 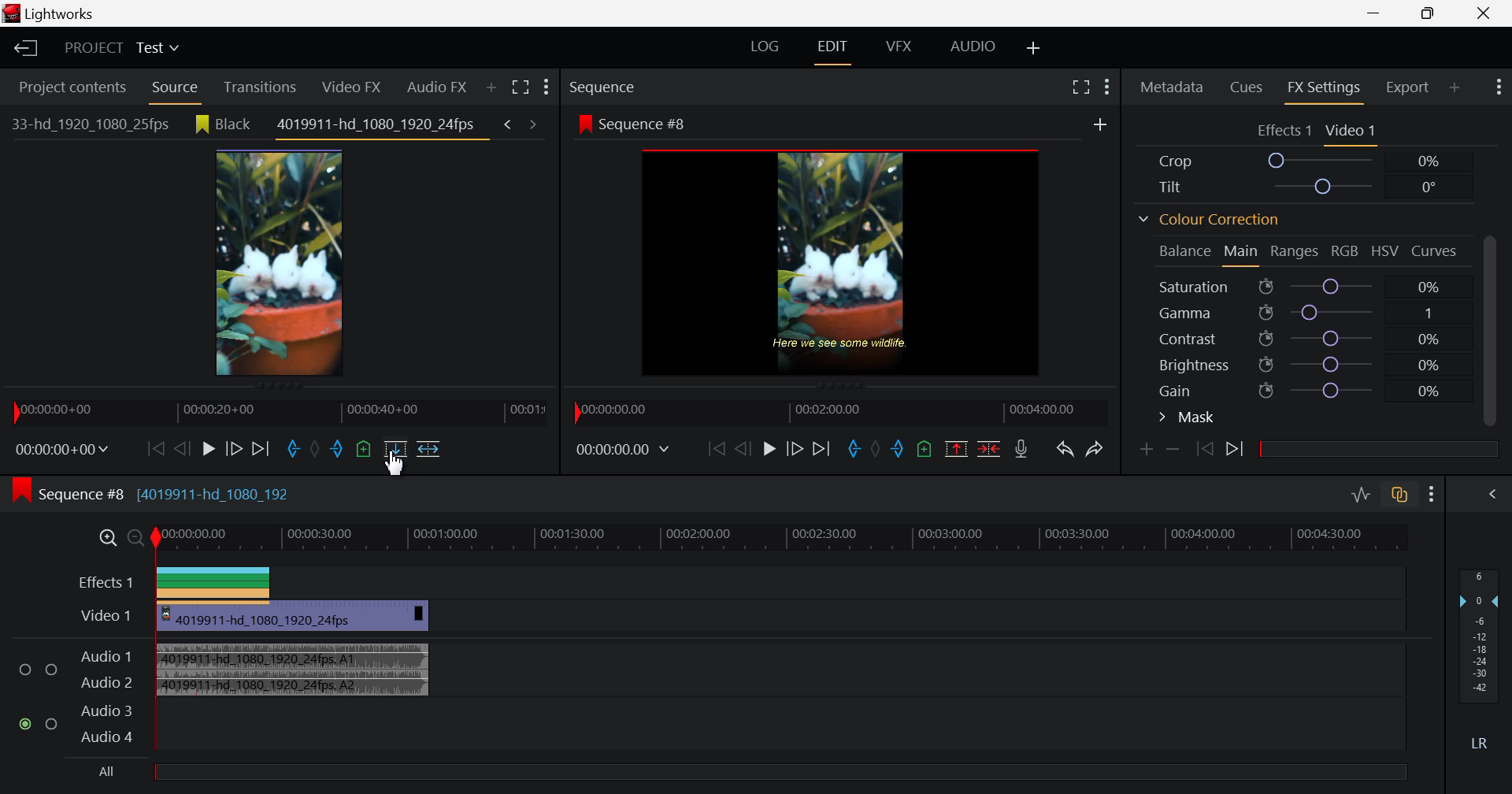 I want to click on Go Forward, so click(x=233, y=449).